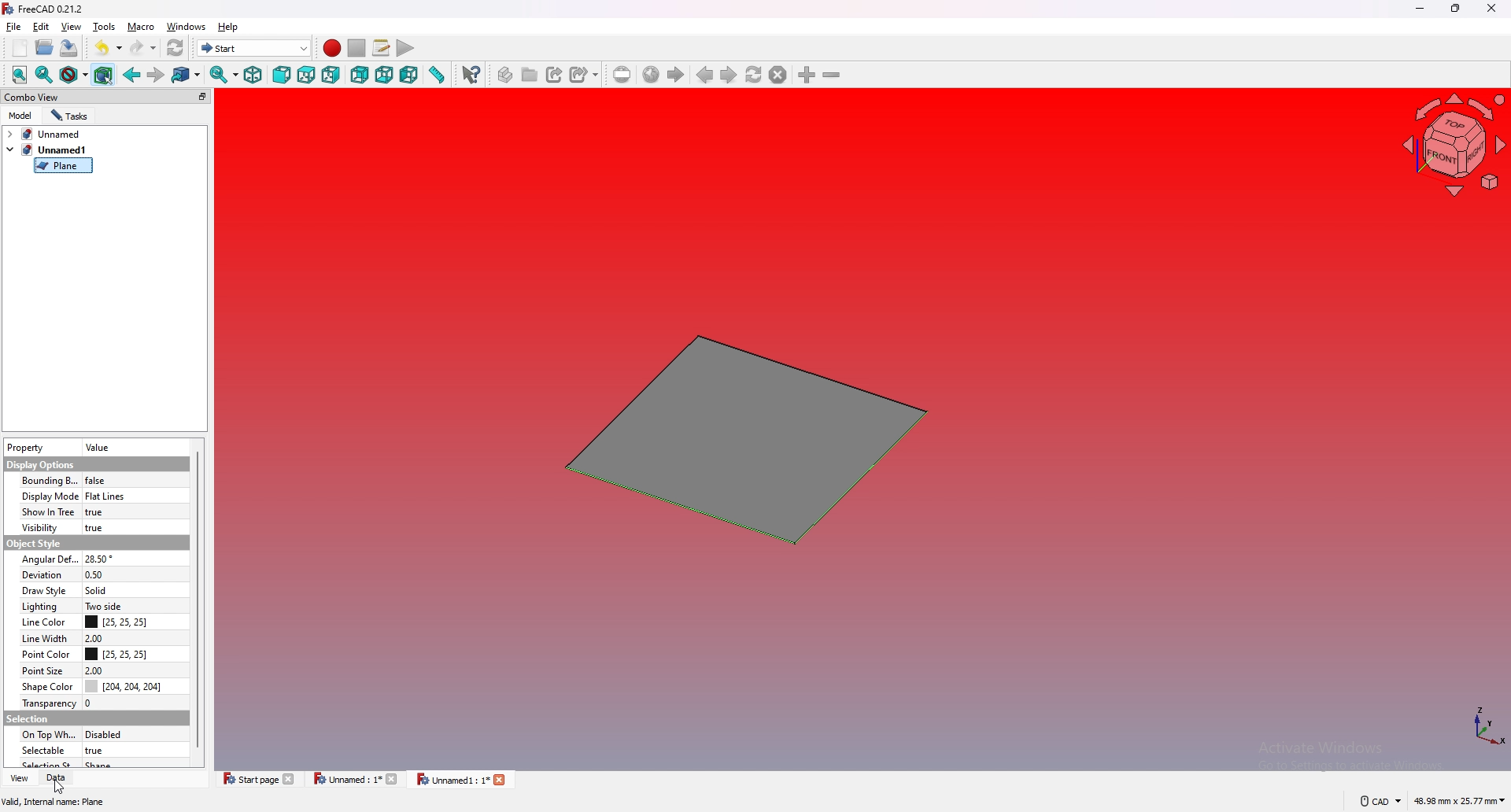 Image resolution: width=1511 pixels, height=812 pixels. Describe the element at coordinates (108, 96) in the screenshot. I see `combo view` at that location.